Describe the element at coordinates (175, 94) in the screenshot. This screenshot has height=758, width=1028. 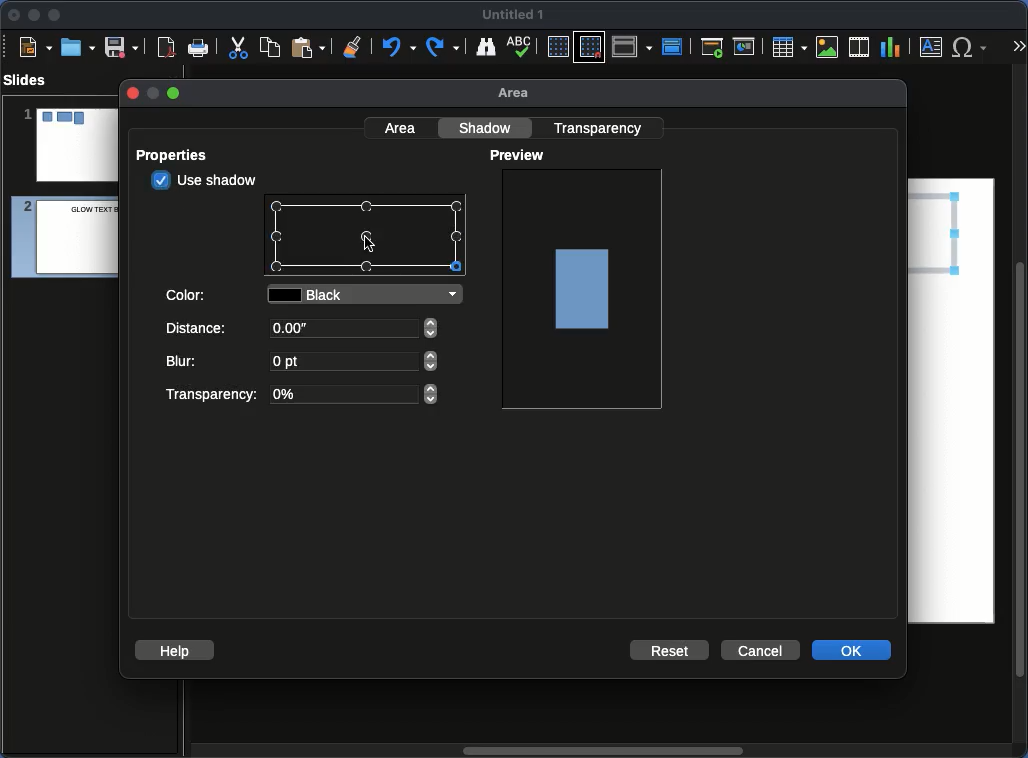
I see `maximize` at that location.